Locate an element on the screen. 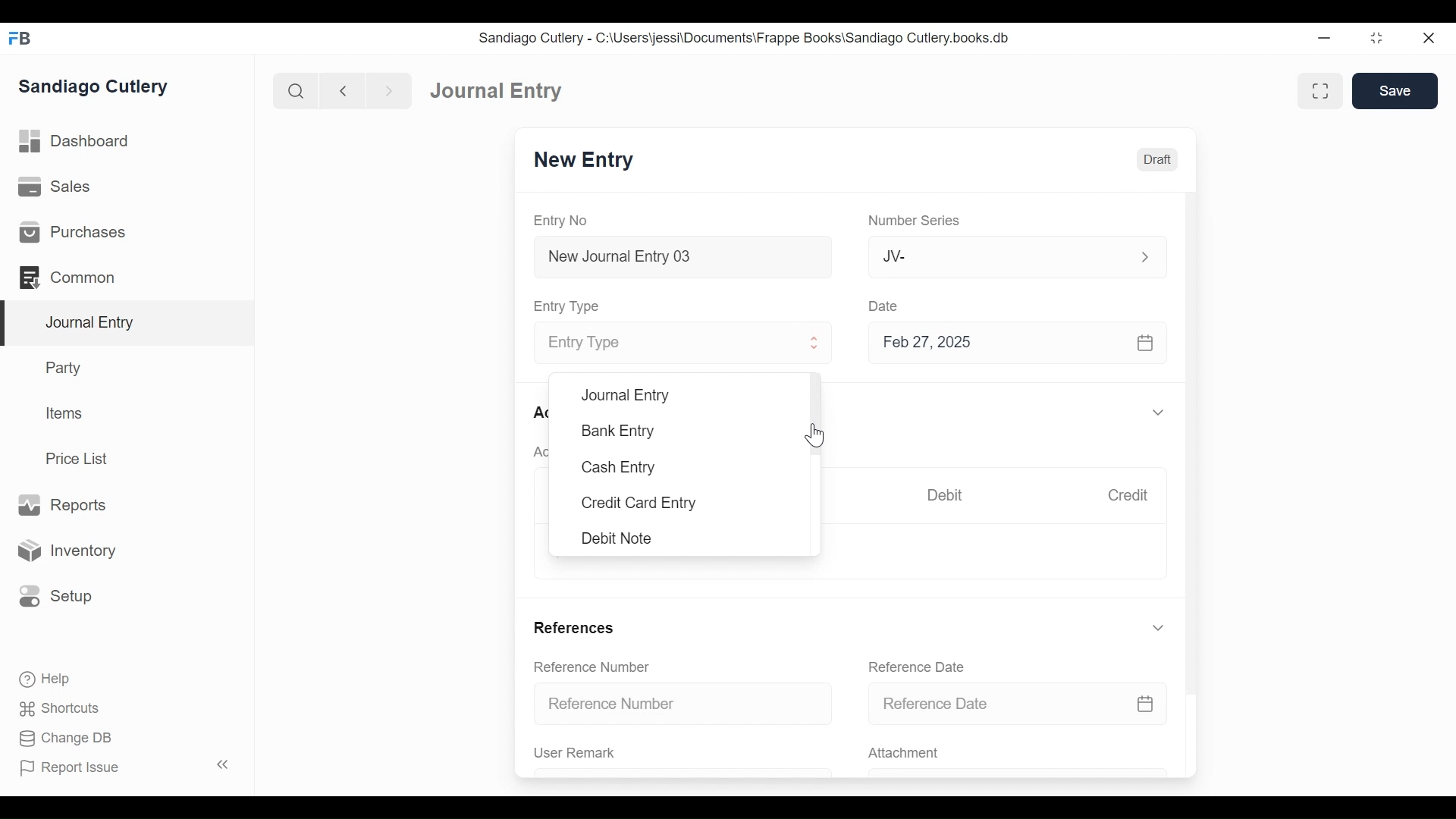 Image resolution: width=1456 pixels, height=819 pixels. Report Issue is located at coordinates (71, 768).